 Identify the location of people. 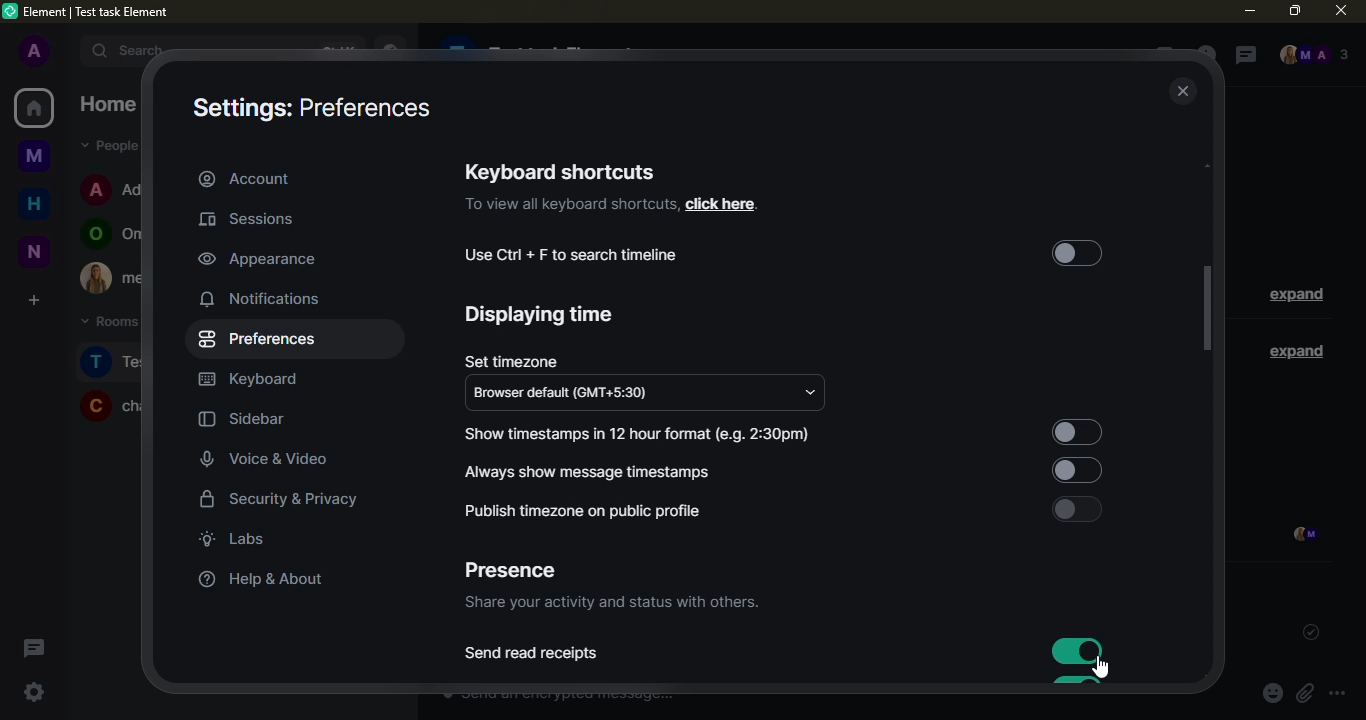
(1313, 56).